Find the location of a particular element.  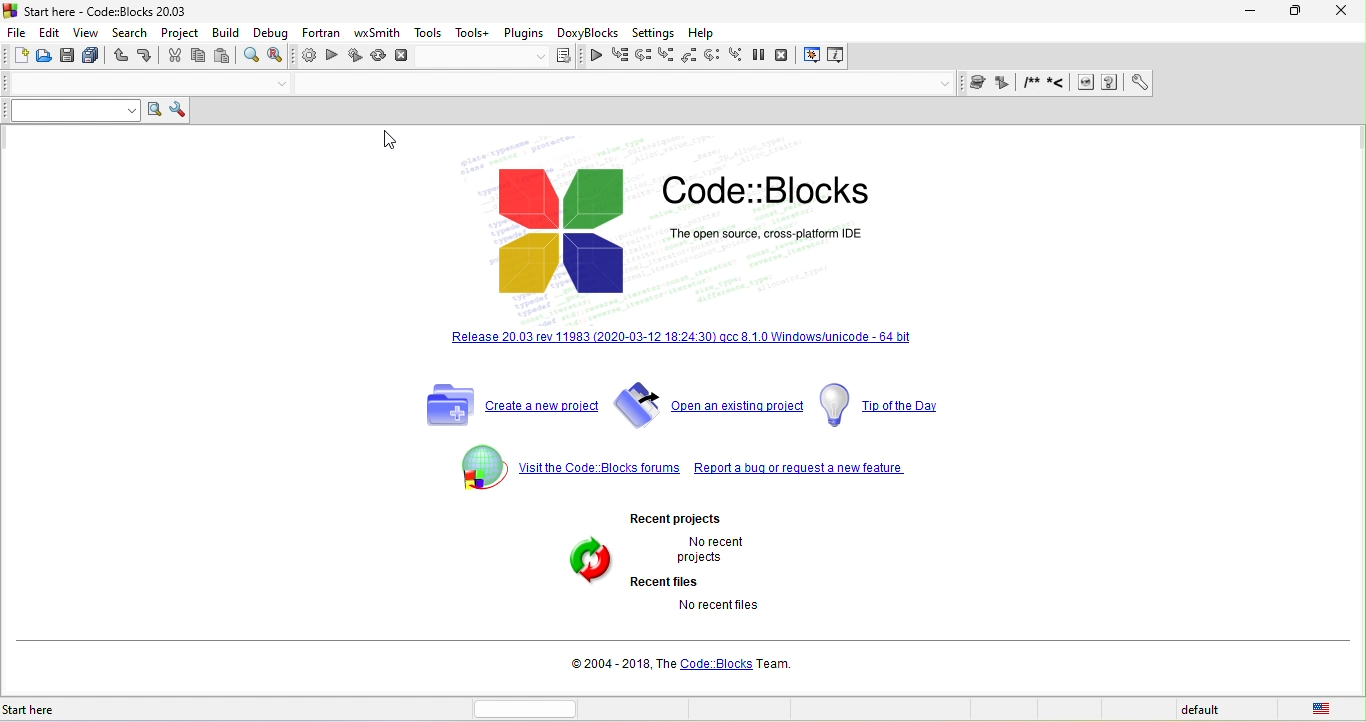

step into instruction is located at coordinates (734, 56).